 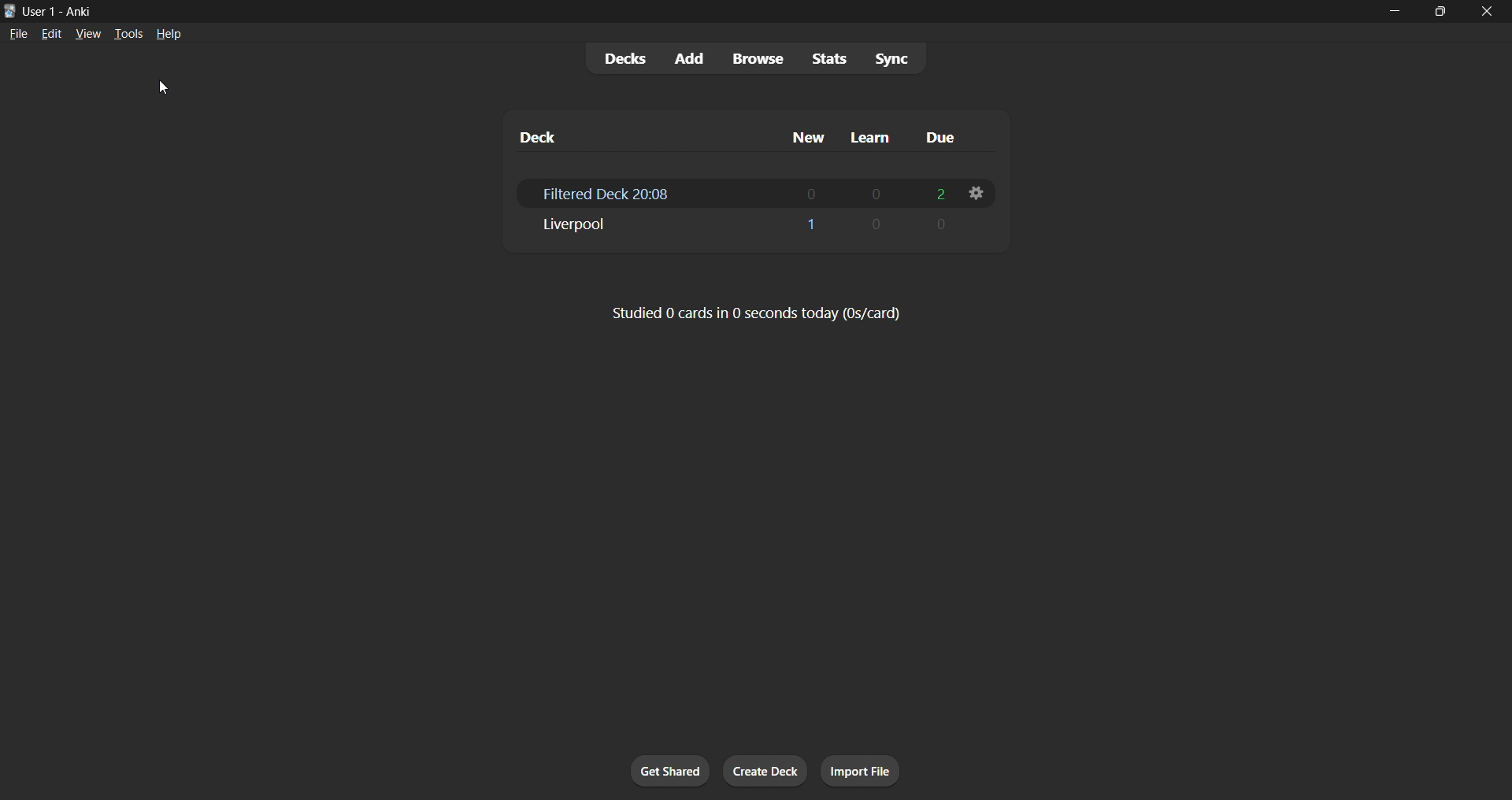 What do you see at coordinates (643, 226) in the screenshot?
I see `Liverpool` at bounding box center [643, 226].